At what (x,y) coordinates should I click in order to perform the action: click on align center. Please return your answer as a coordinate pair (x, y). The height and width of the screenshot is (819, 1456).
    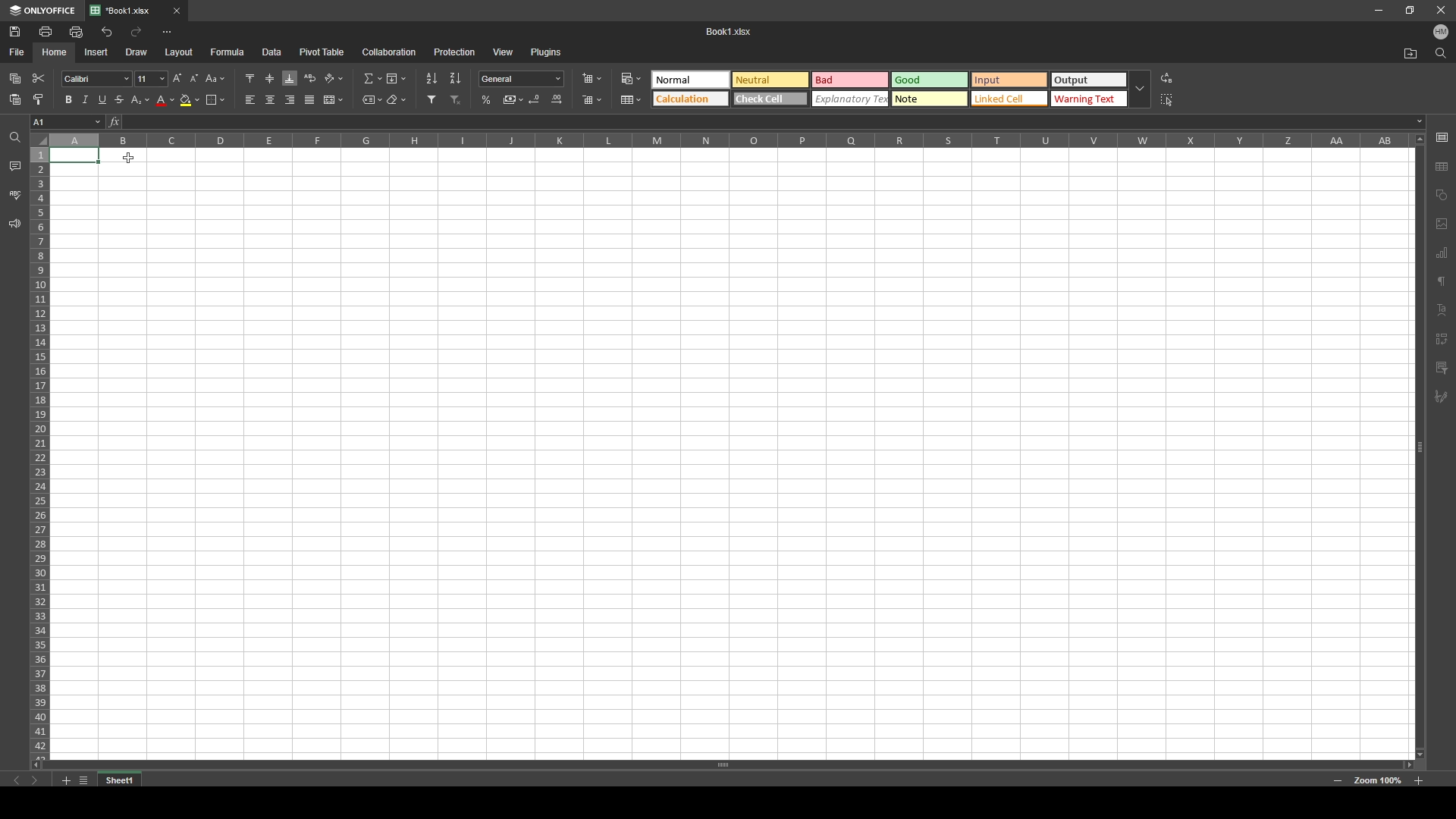
    Looking at the image, I should click on (271, 99).